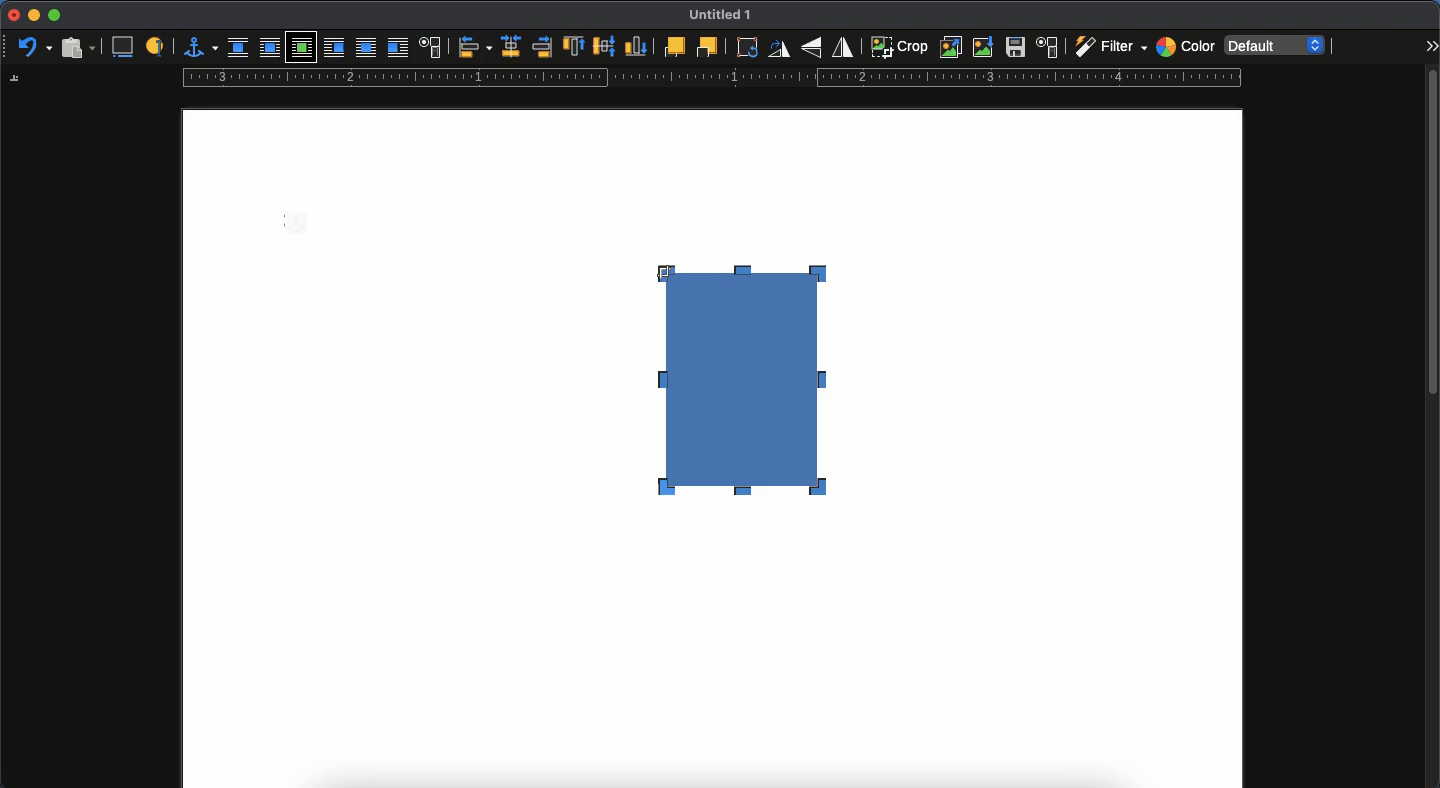  Describe the element at coordinates (1185, 49) in the screenshot. I see `color` at that location.